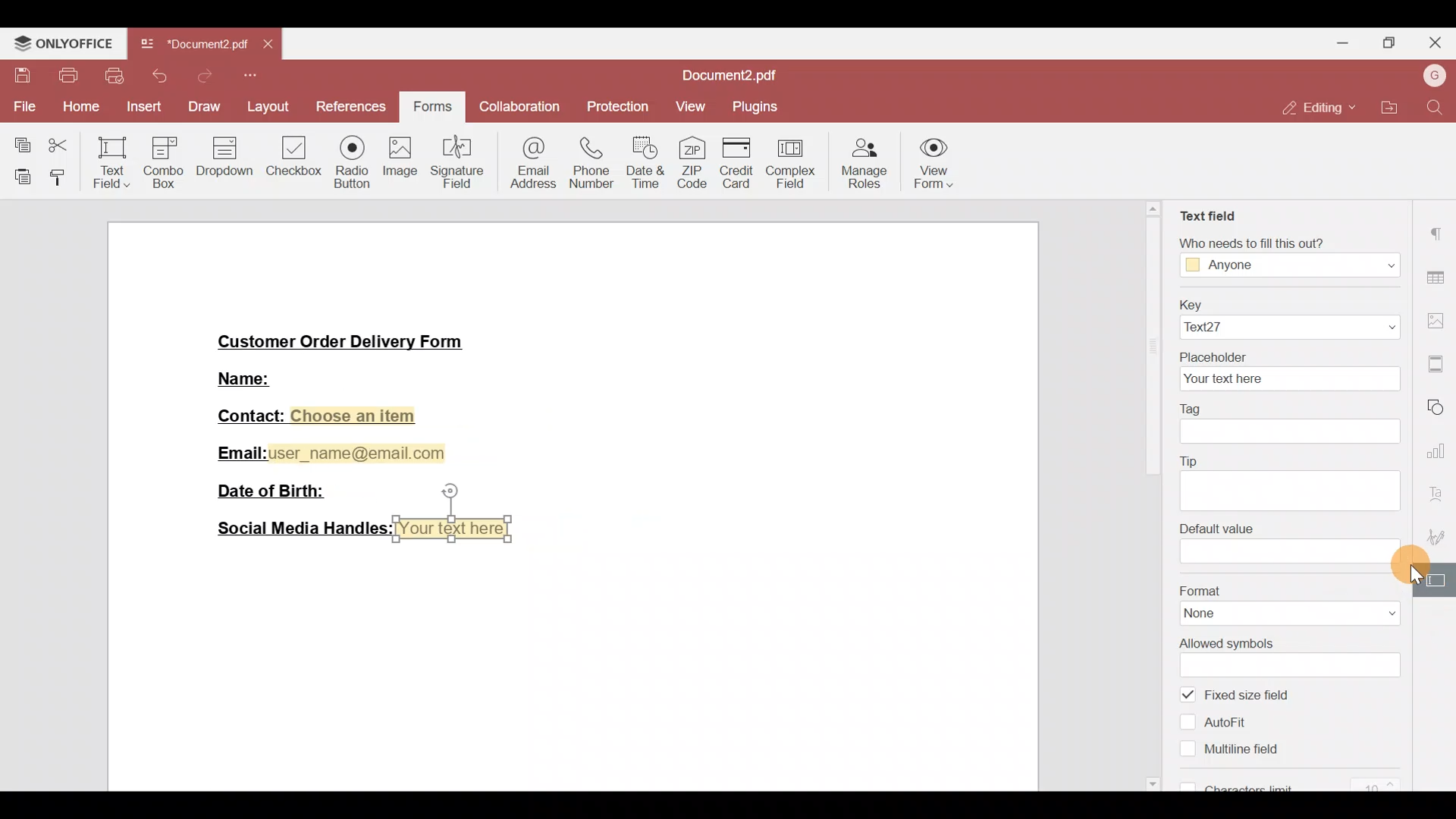 This screenshot has width=1456, height=819. I want to click on Text field, so click(107, 164).